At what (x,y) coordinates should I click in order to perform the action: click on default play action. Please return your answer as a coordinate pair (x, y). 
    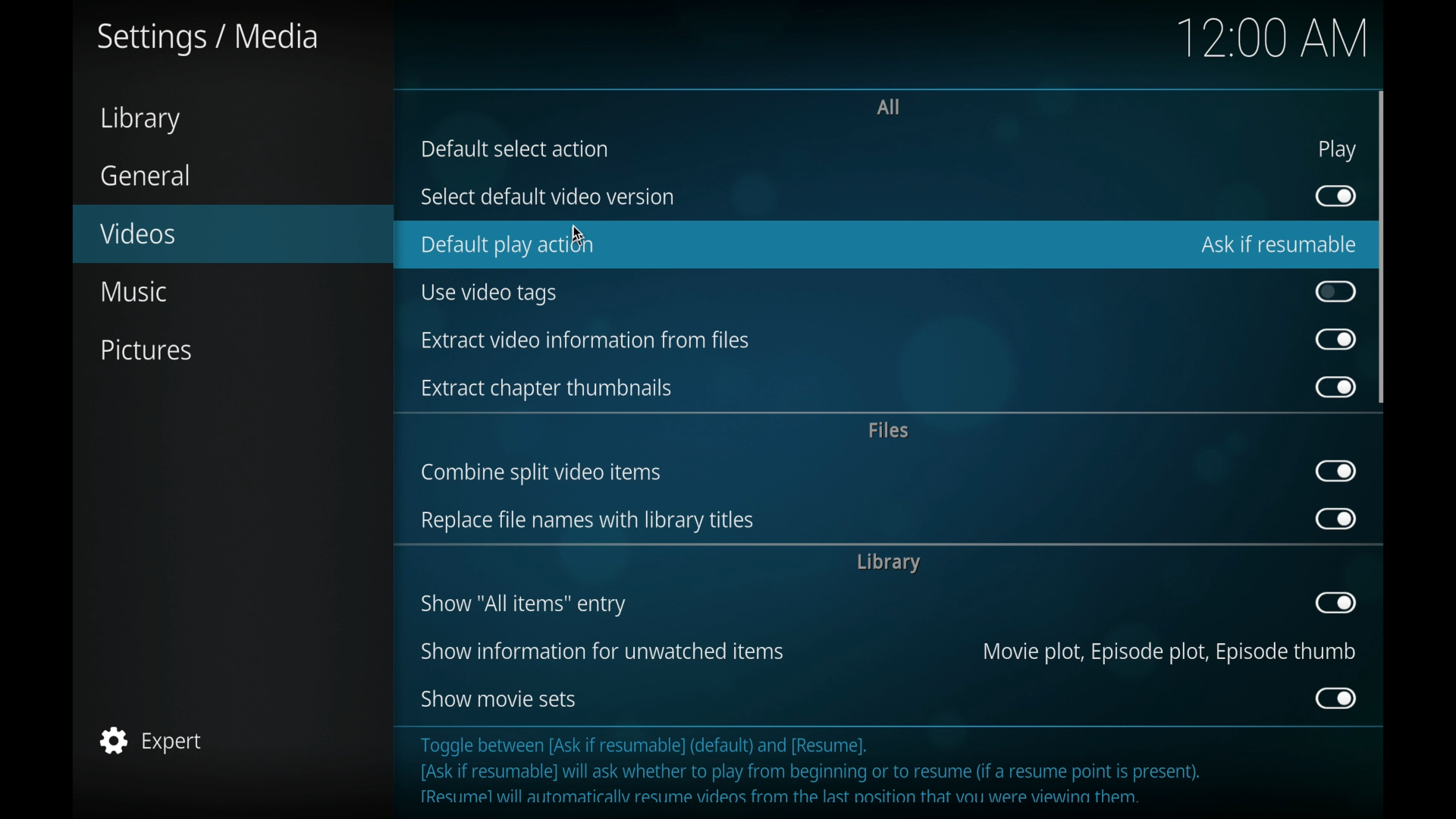
    Looking at the image, I should click on (506, 246).